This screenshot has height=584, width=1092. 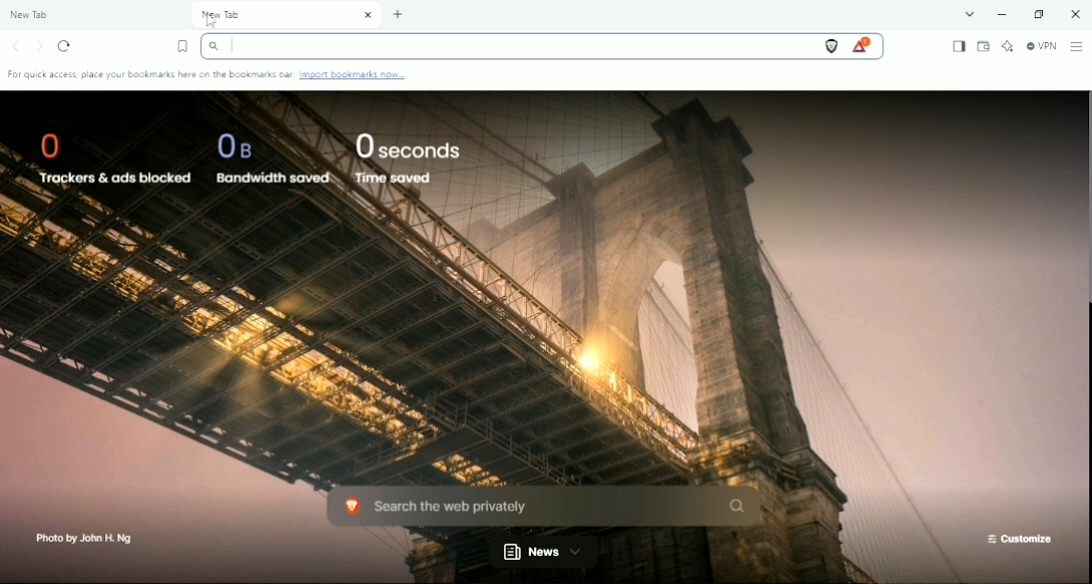 I want to click on Search Tabs, so click(x=969, y=13).